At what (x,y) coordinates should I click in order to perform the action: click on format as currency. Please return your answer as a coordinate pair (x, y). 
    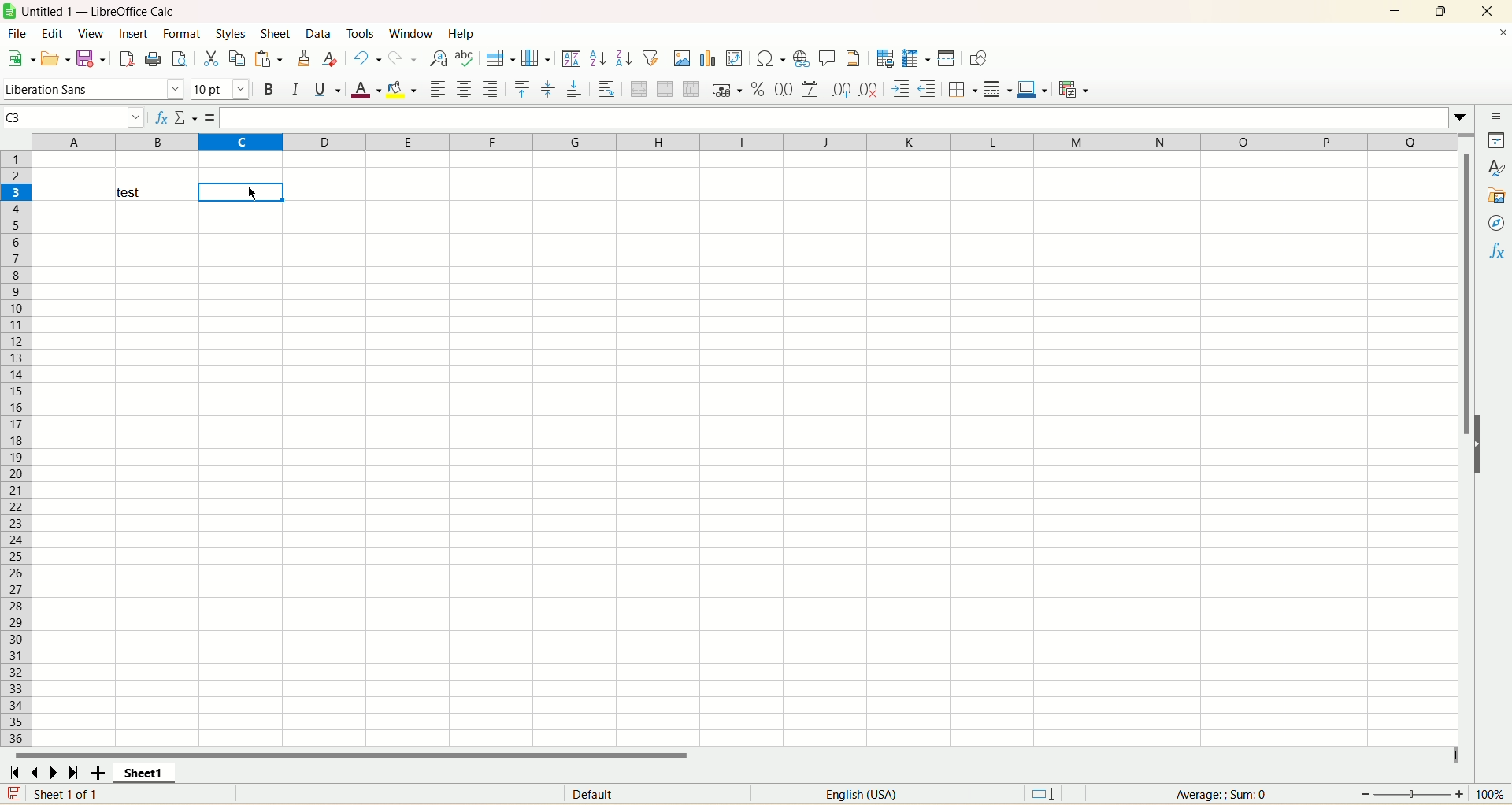
    Looking at the image, I should click on (728, 89).